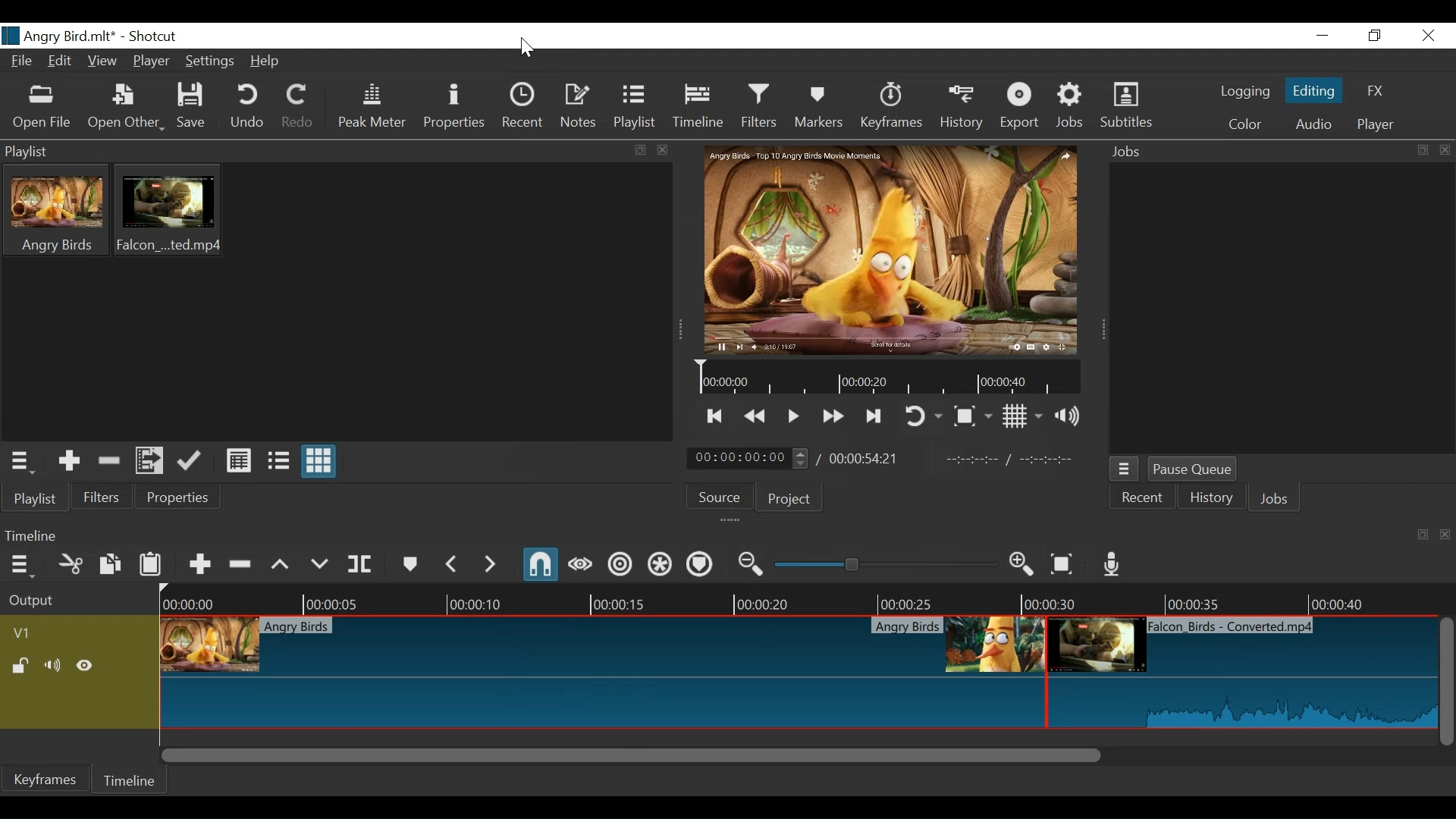 The image size is (1456, 819). What do you see at coordinates (875, 416) in the screenshot?
I see `Skip to the next point` at bounding box center [875, 416].